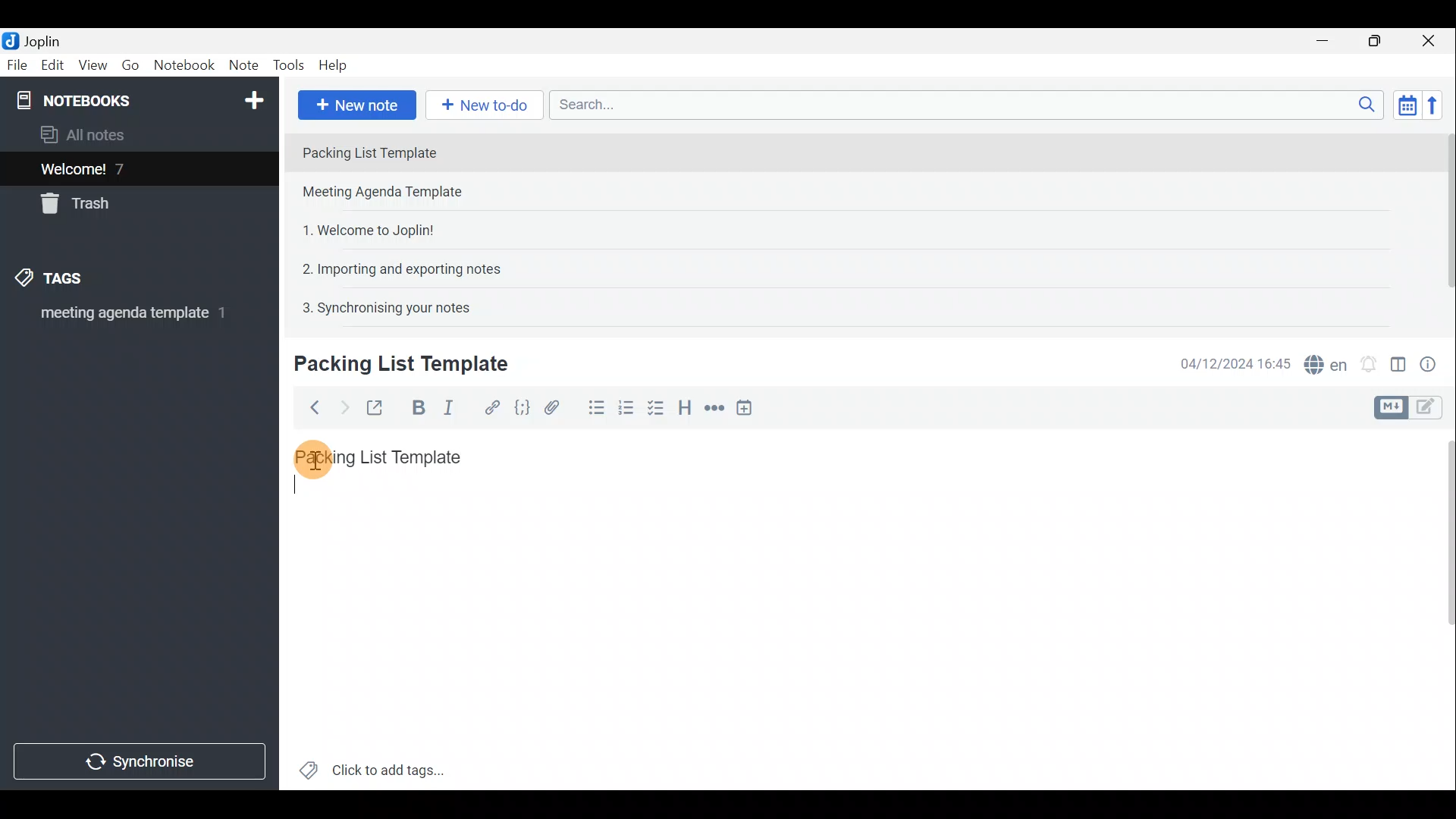 The width and height of the screenshot is (1456, 819). What do you see at coordinates (485, 105) in the screenshot?
I see `New to-do` at bounding box center [485, 105].